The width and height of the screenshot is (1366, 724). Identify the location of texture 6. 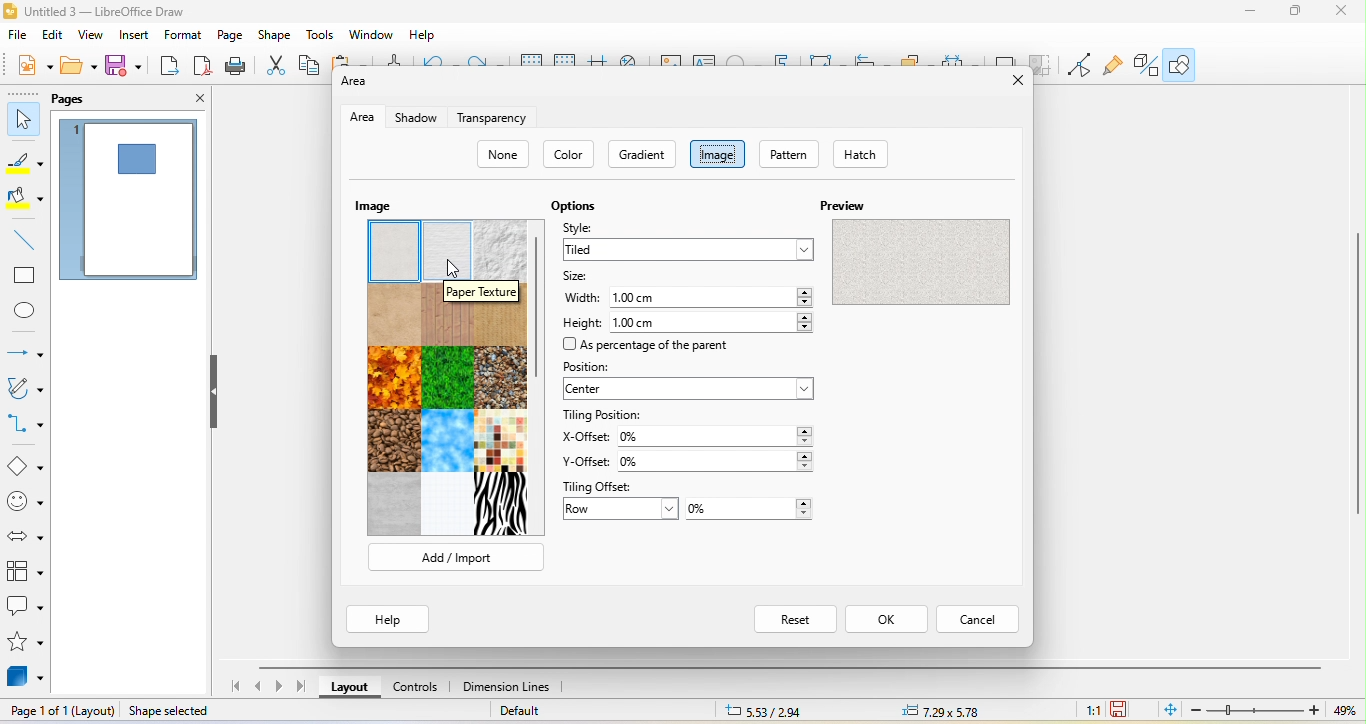
(501, 325).